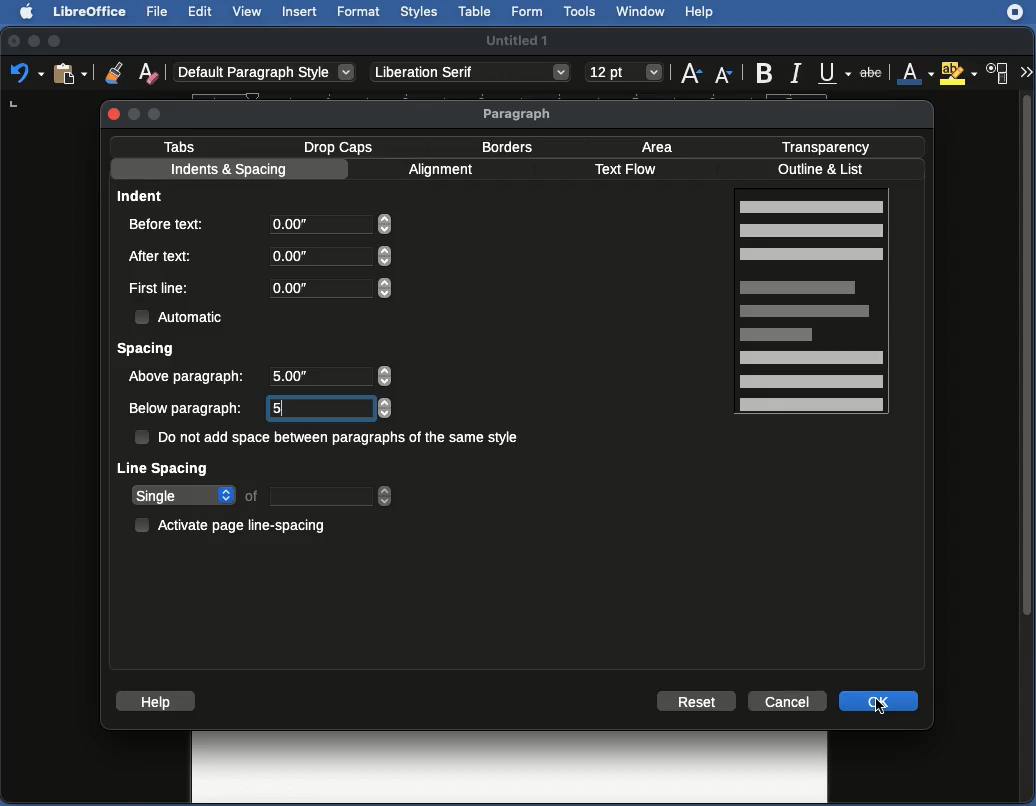  I want to click on Close, so click(114, 113).